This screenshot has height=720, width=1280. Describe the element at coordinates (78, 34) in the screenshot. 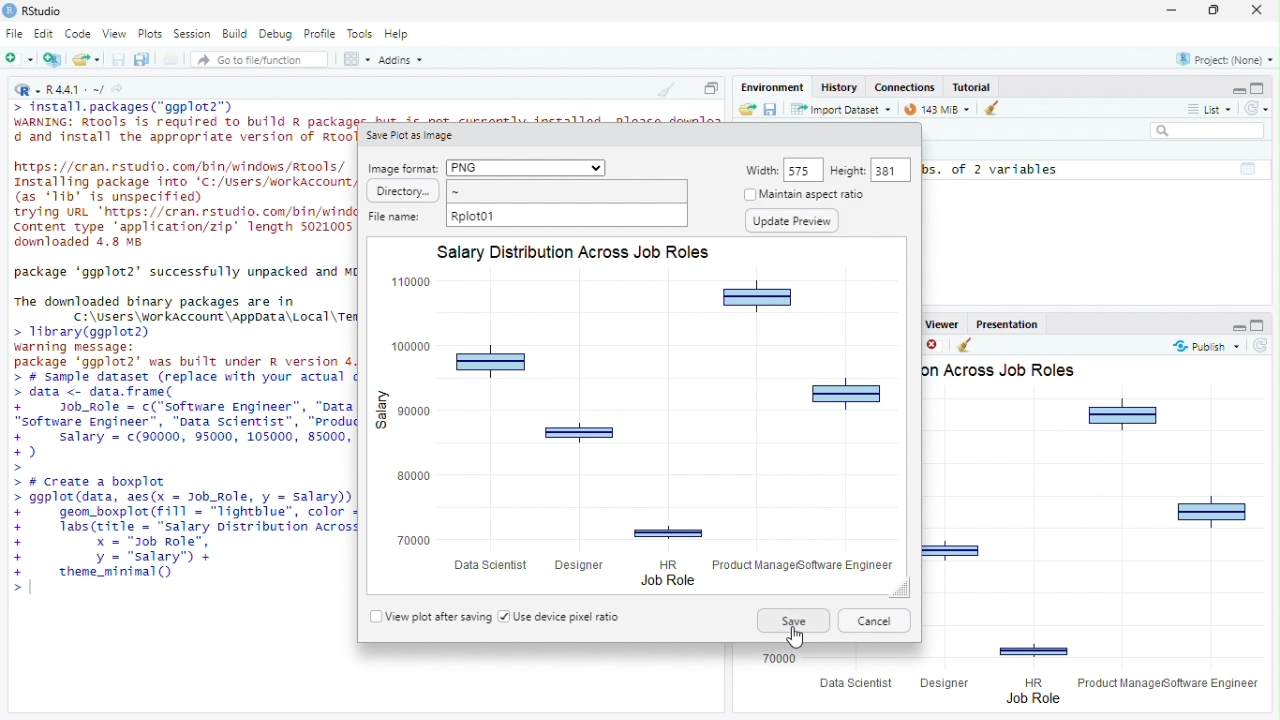

I see `Code` at that location.